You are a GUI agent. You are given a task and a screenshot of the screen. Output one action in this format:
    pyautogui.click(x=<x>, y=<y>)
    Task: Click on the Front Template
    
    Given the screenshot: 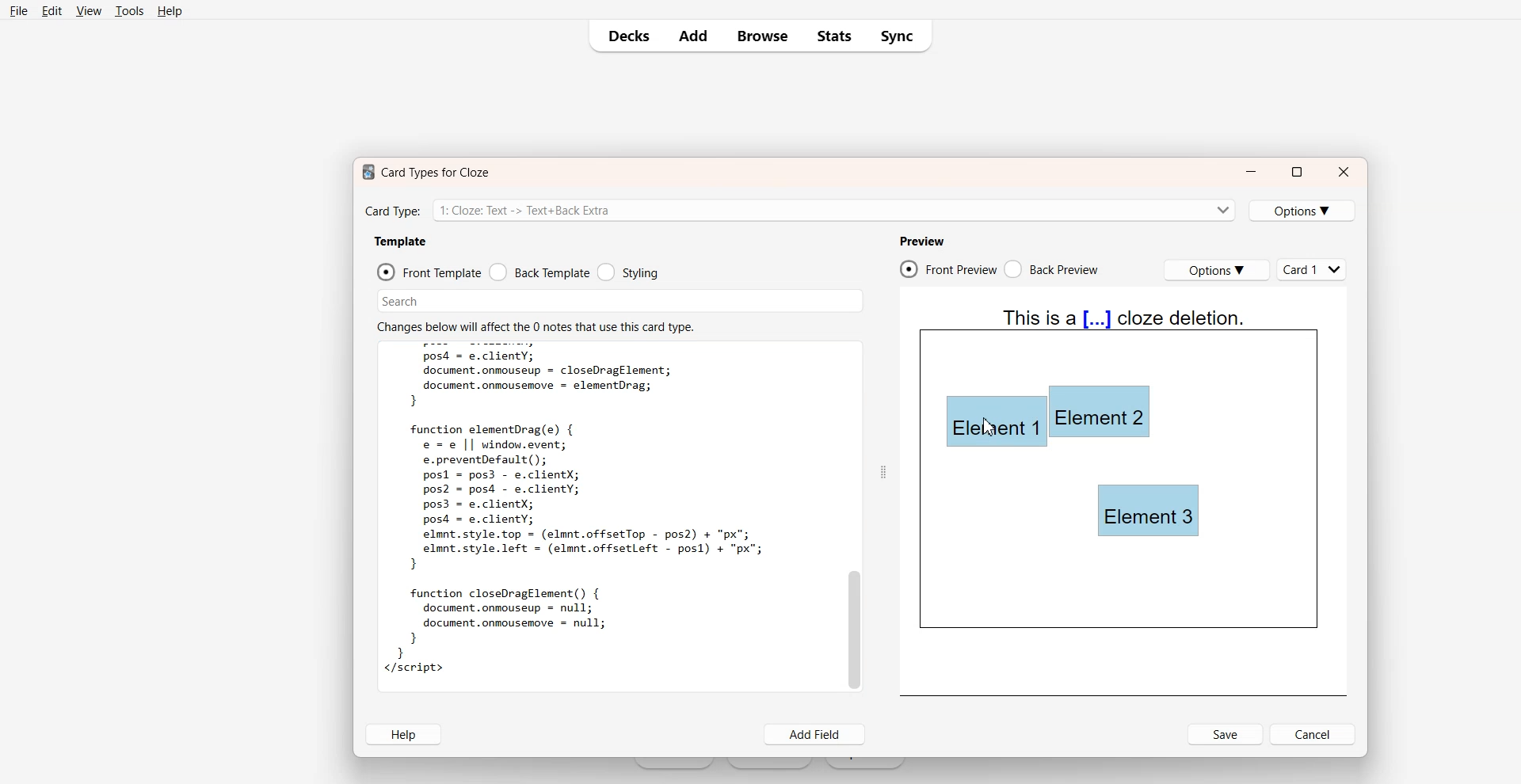 What is the action you would take?
    pyautogui.click(x=429, y=272)
    